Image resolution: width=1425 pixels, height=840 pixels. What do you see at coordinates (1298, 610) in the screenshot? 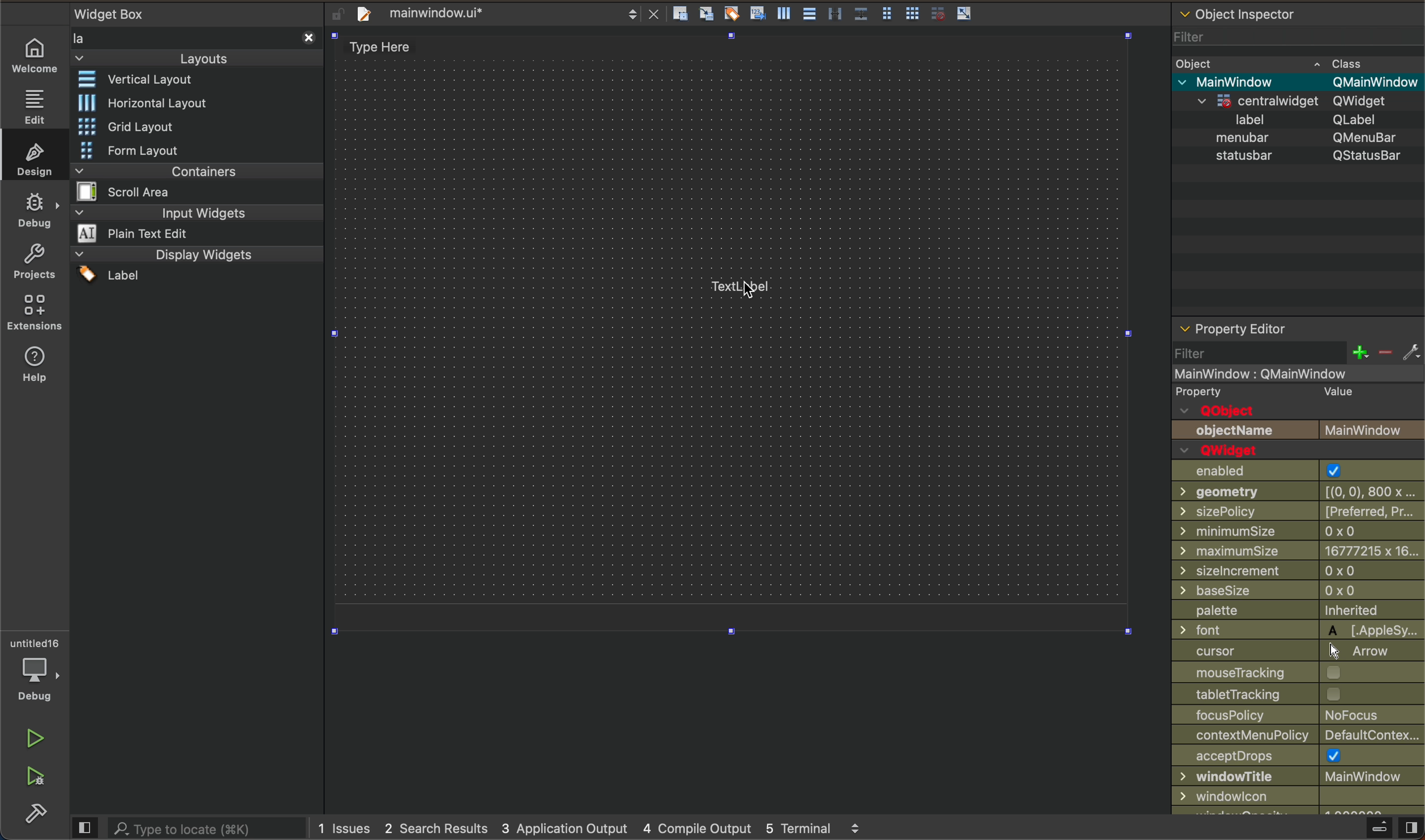
I see `palette` at bounding box center [1298, 610].